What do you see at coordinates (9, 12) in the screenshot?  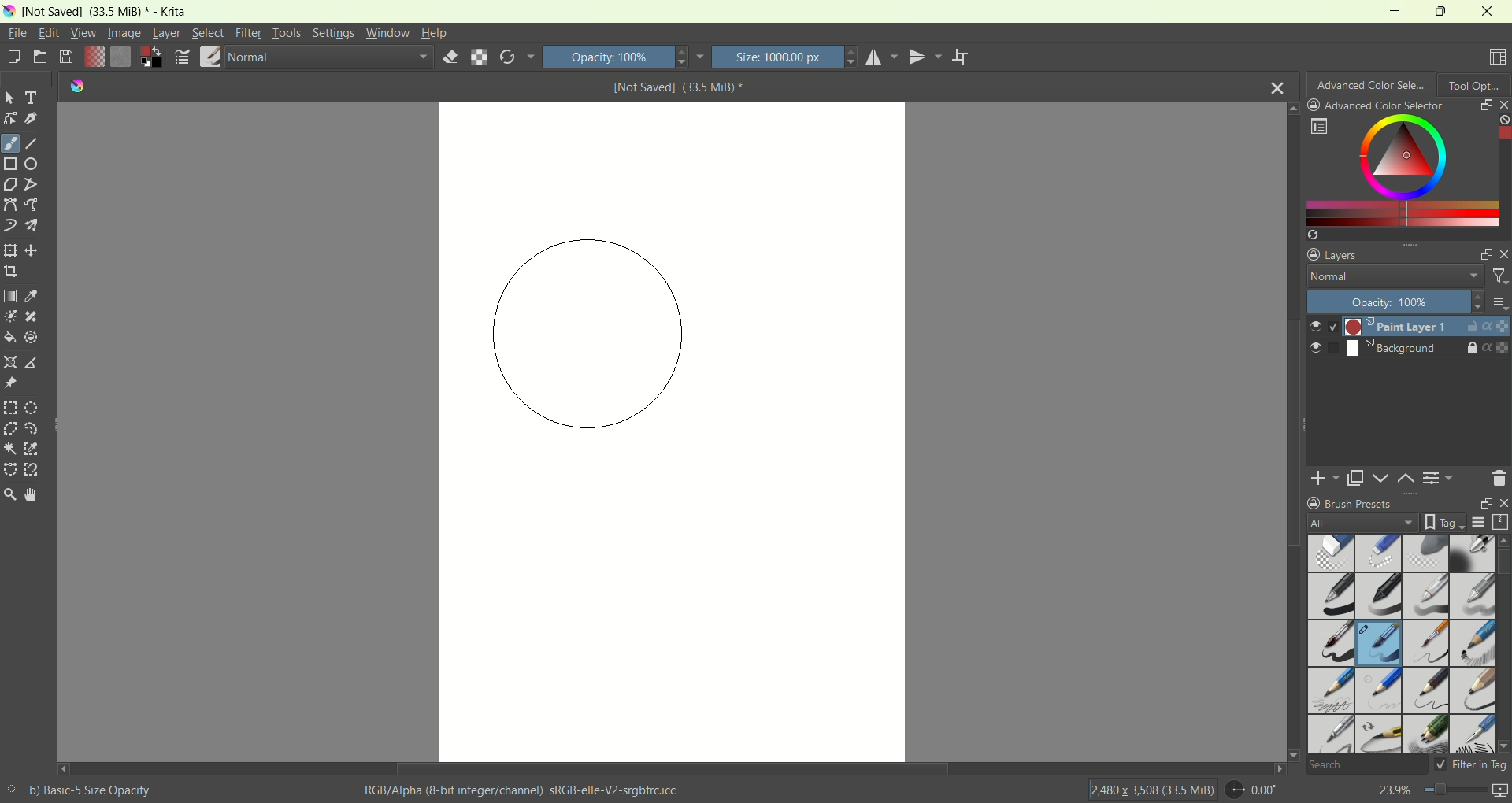 I see `logo` at bounding box center [9, 12].